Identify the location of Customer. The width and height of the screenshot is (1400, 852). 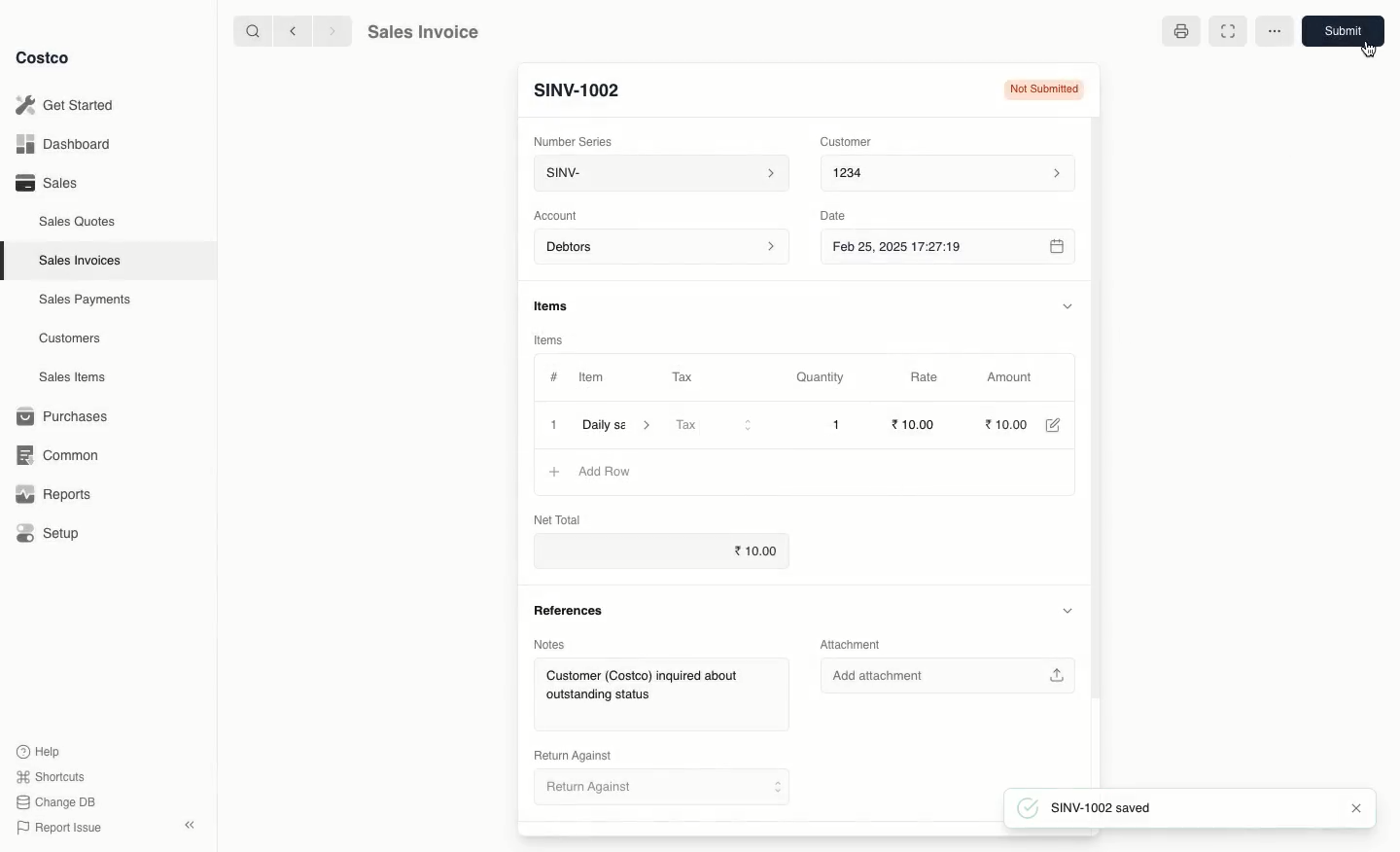
(852, 143).